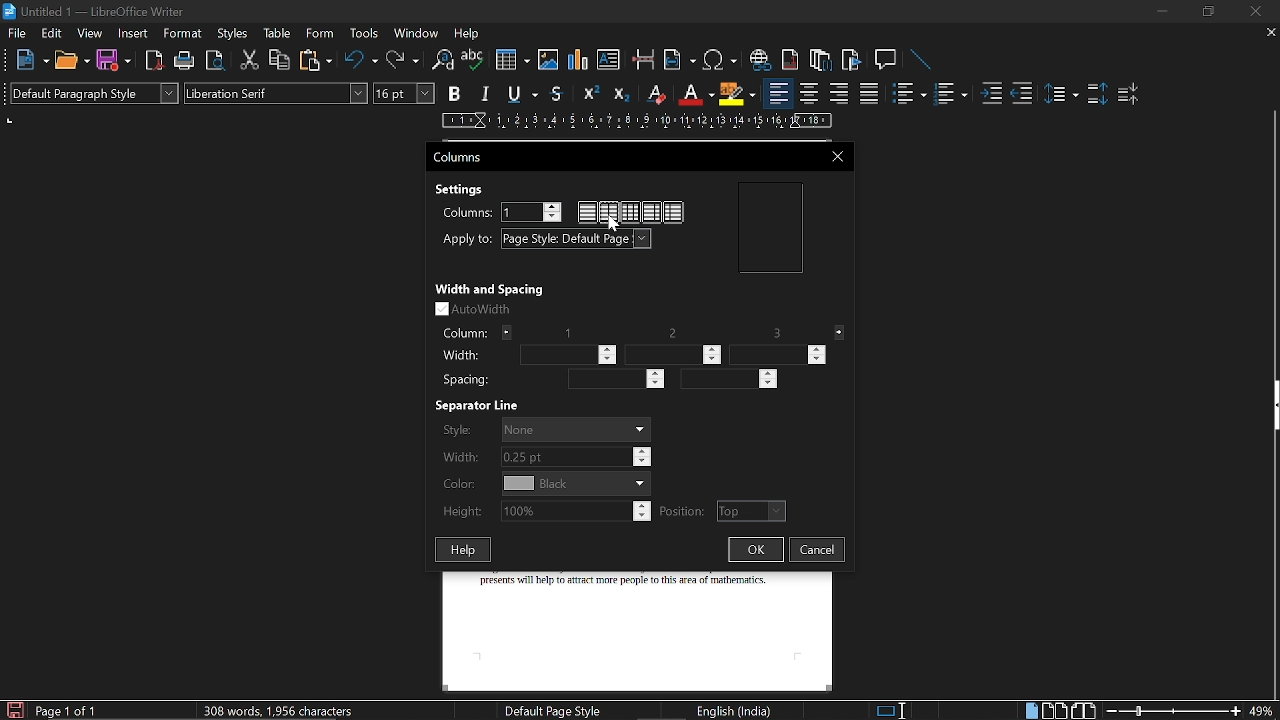 This screenshot has width=1280, height=720. Describe the element at coordinates (529, 211) in the screenshot. I see `Current number of columns` at that location.